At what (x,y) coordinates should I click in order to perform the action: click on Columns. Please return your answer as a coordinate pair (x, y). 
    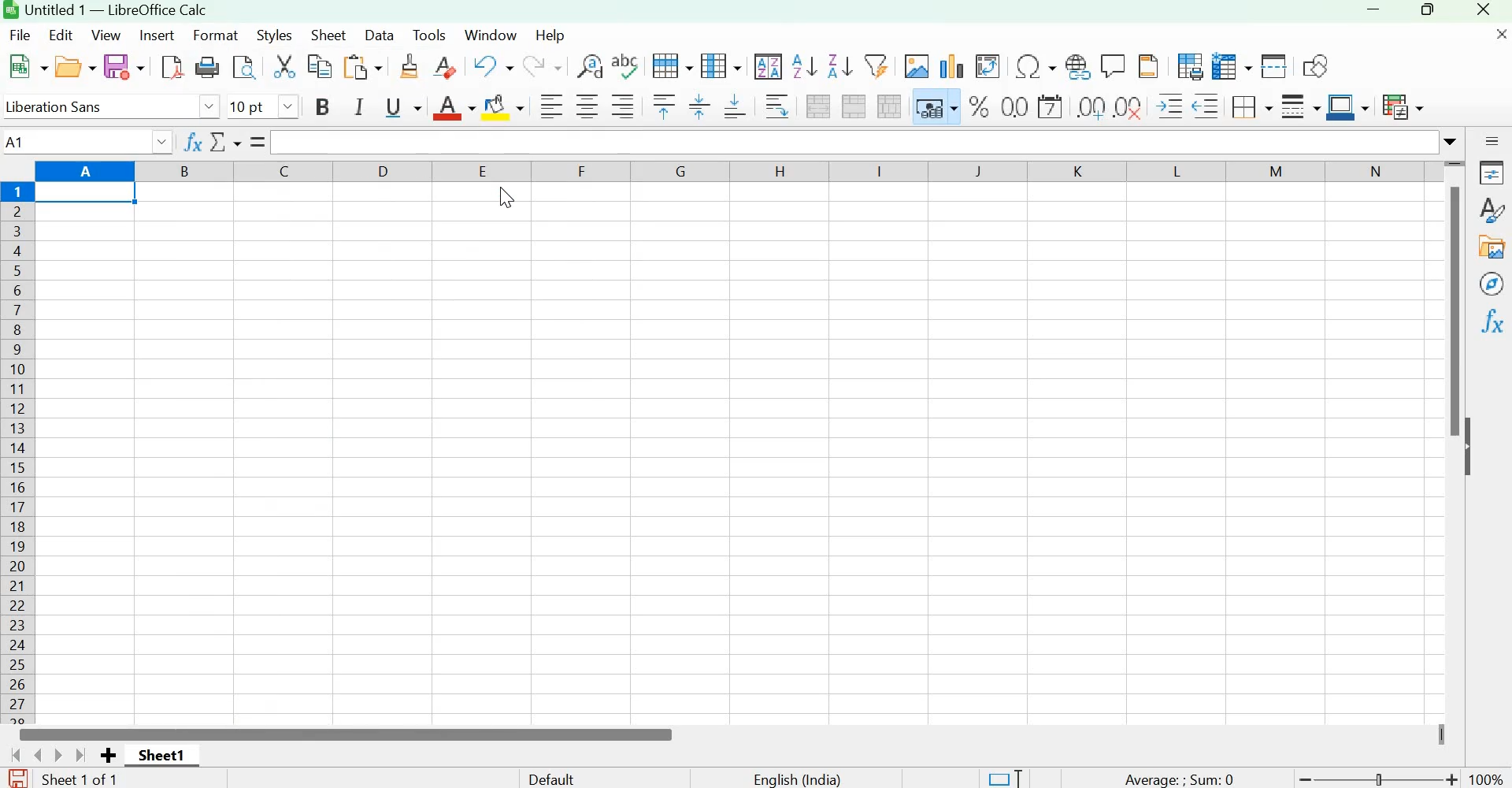
    Looking at the image, I should click on (19, 452).